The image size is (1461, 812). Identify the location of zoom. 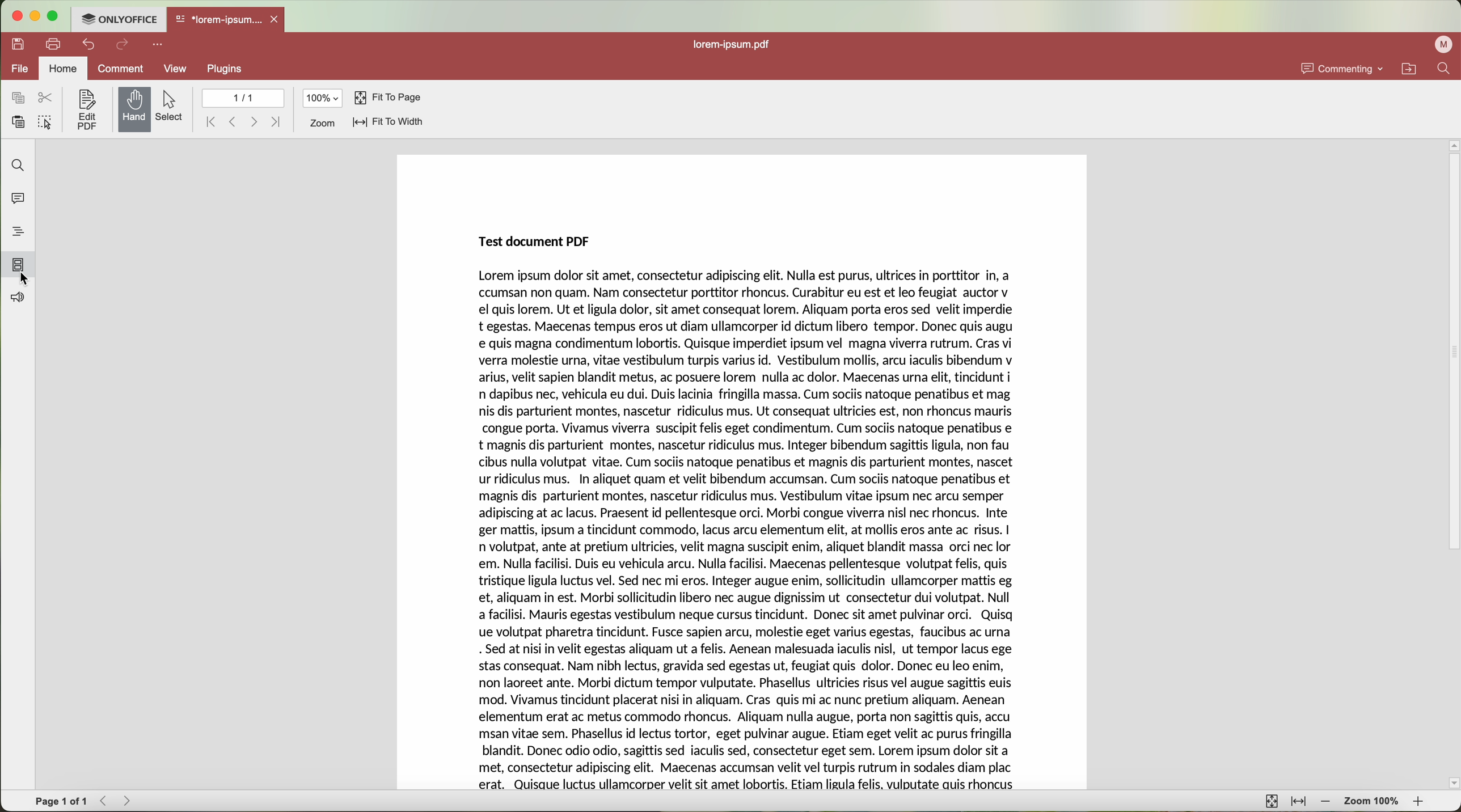
(323, 123).